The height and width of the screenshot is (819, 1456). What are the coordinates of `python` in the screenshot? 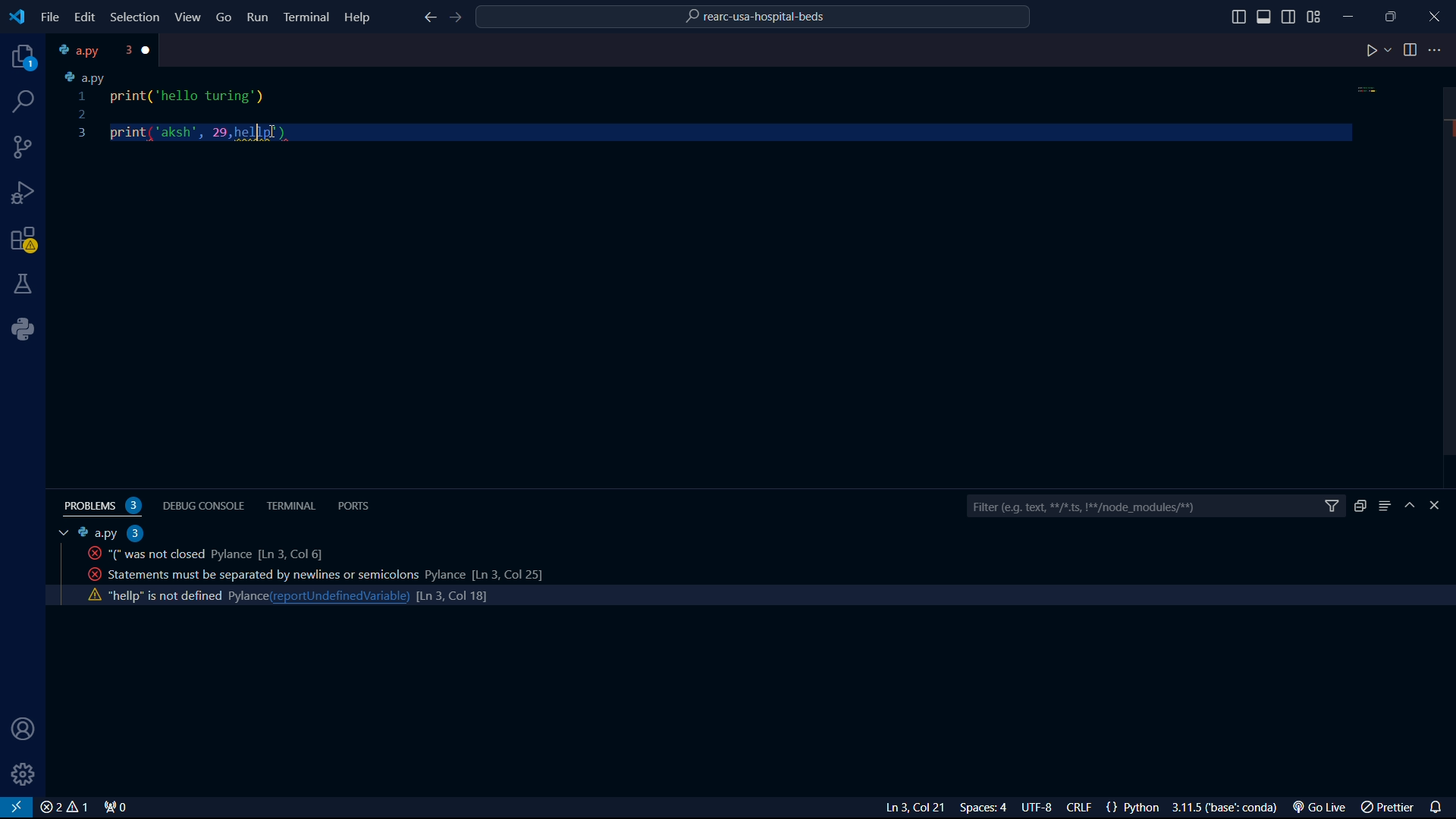 It's located at (28, 329).